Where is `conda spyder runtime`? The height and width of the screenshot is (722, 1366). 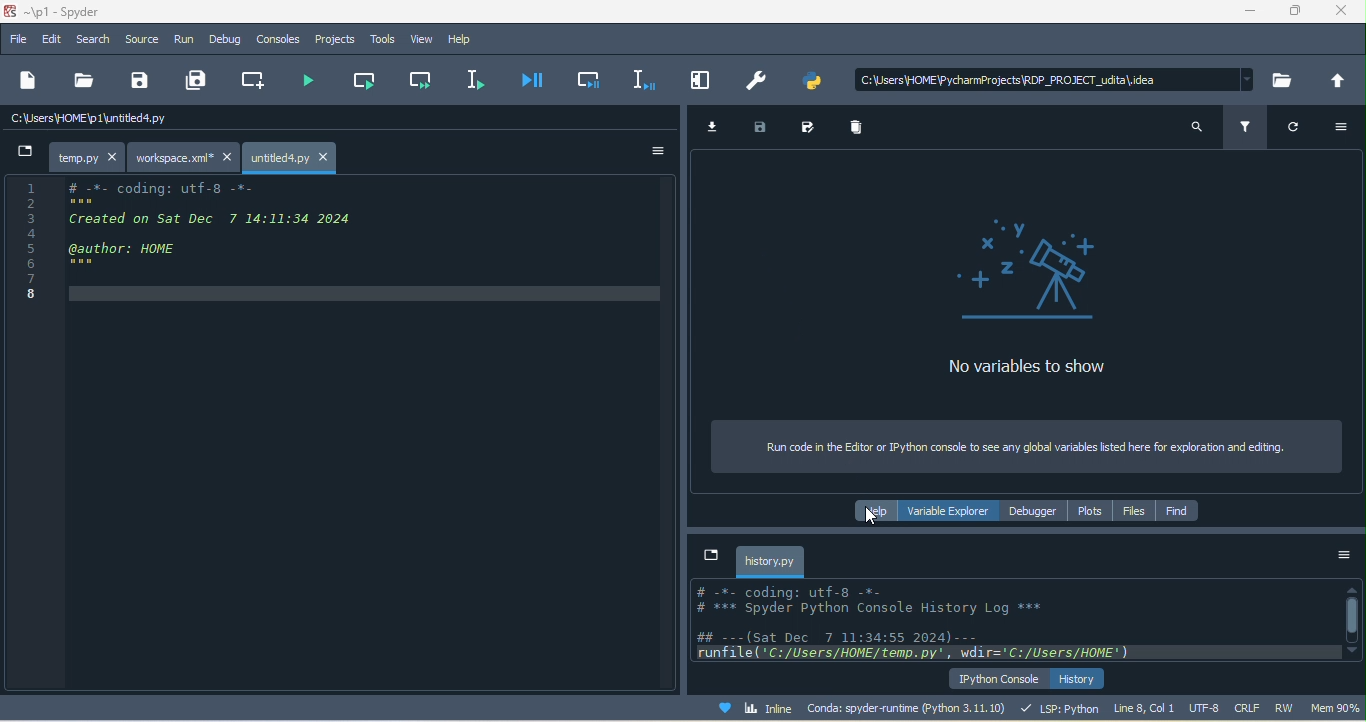 conda spyder runtime is located at coordinates (911, 710).